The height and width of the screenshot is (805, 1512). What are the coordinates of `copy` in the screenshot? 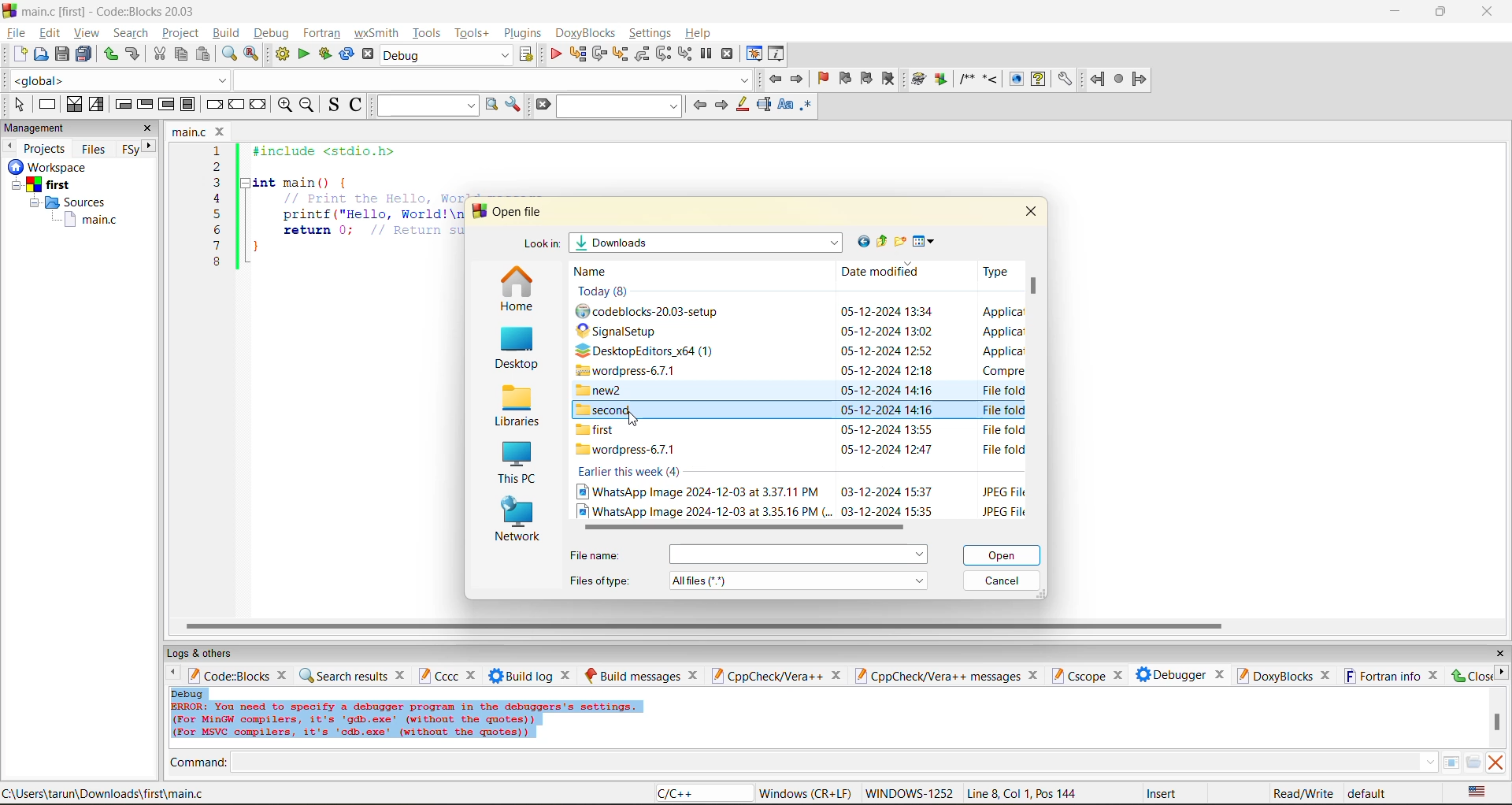 It's located at (182, 54).